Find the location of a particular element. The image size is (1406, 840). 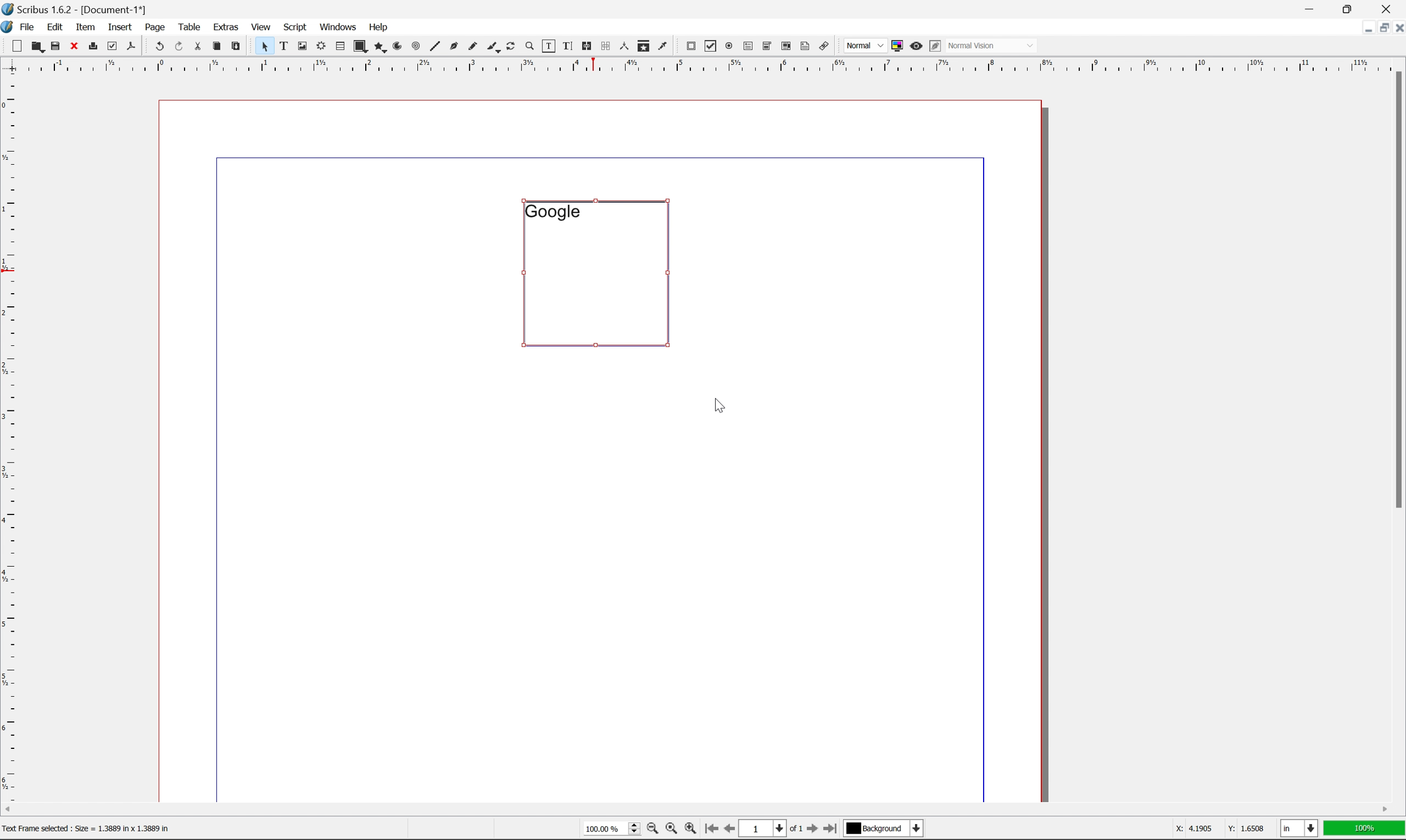

extras is located at coordinates (228, 27).